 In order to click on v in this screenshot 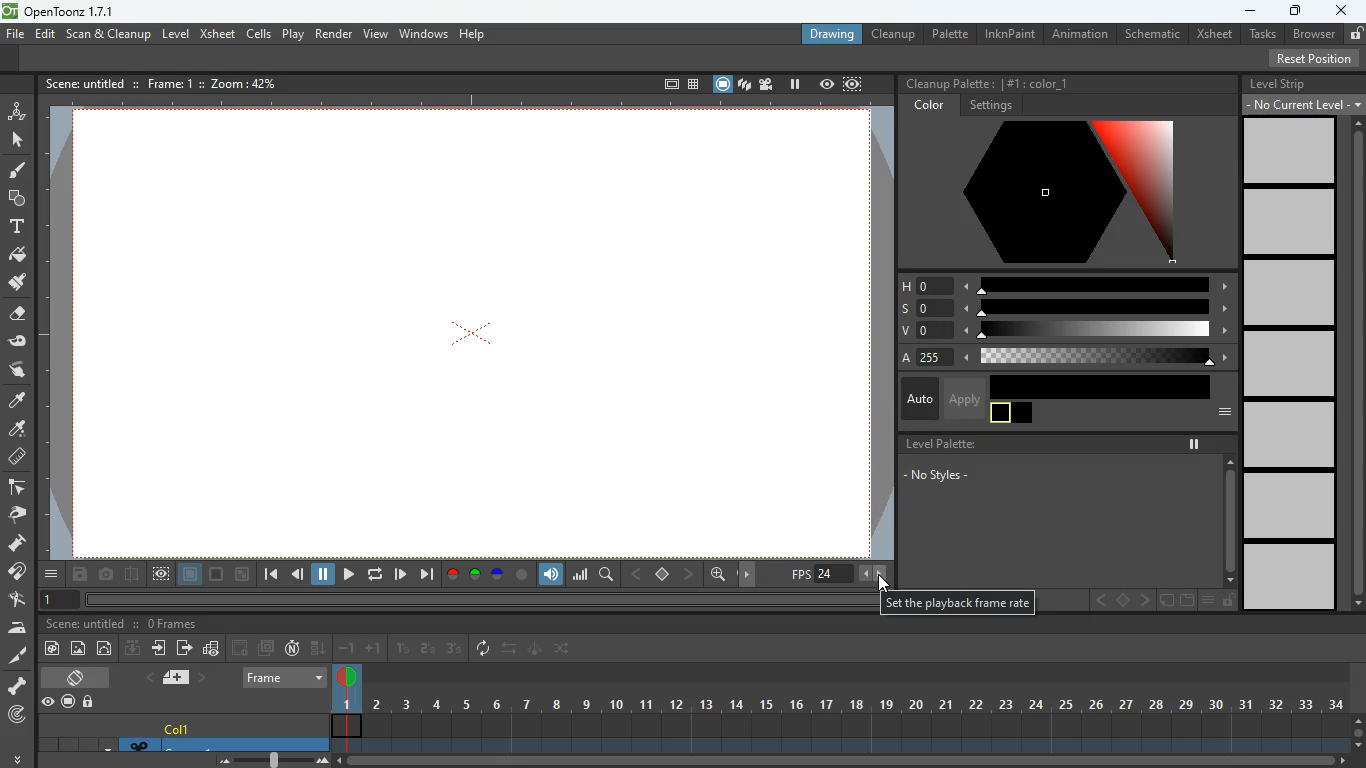, I will do `click(1065, 331)`.